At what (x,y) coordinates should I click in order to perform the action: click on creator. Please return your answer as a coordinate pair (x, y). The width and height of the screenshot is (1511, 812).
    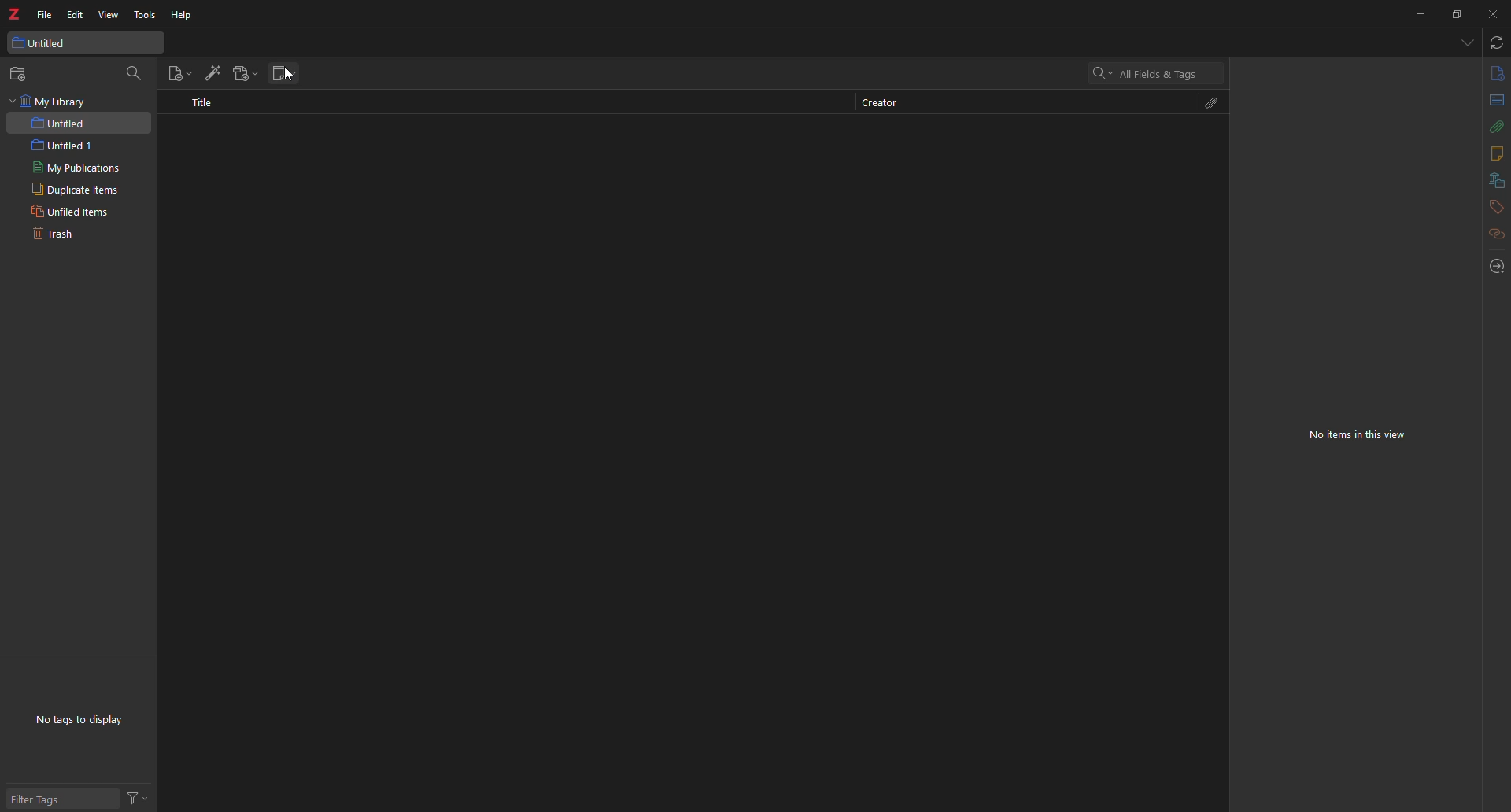
    Looking at the image, I should click on (888, 102).